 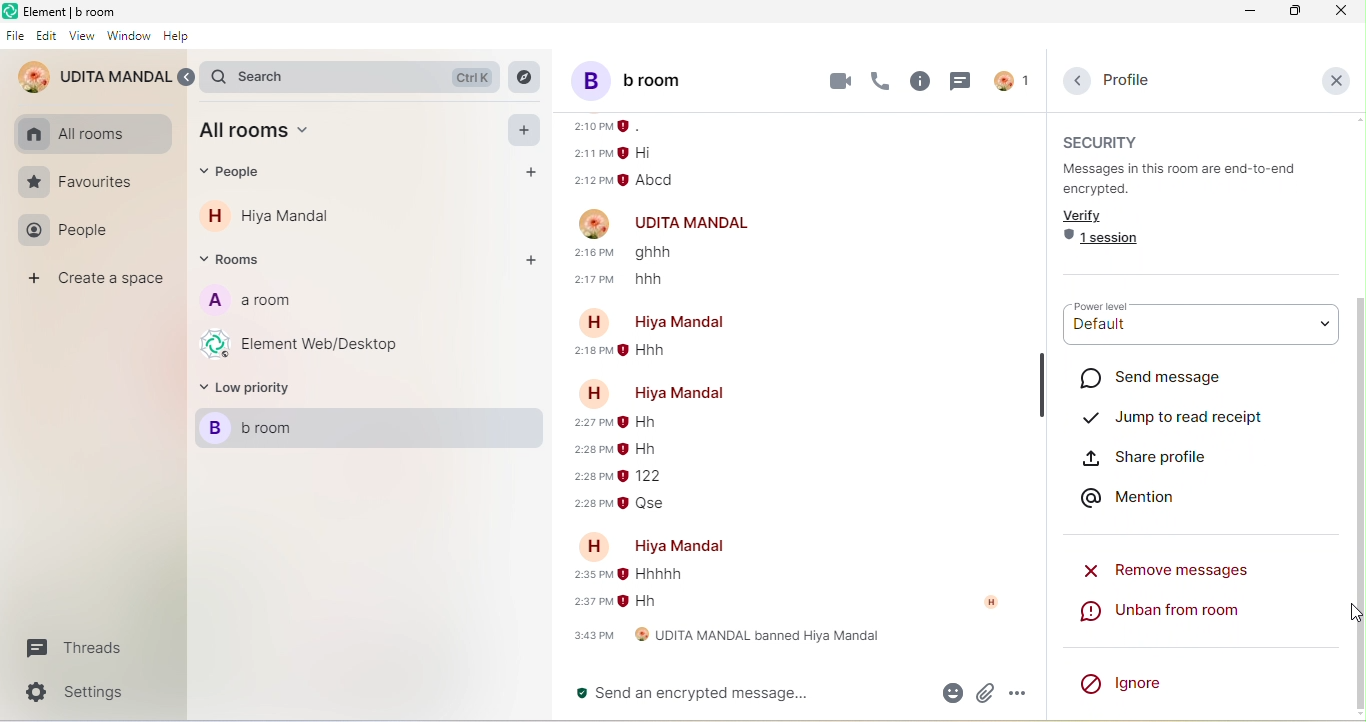 What do you see at coordinates (1168, 378) in the screenshot?
I see `send message` at bounding box center [1168, 378].